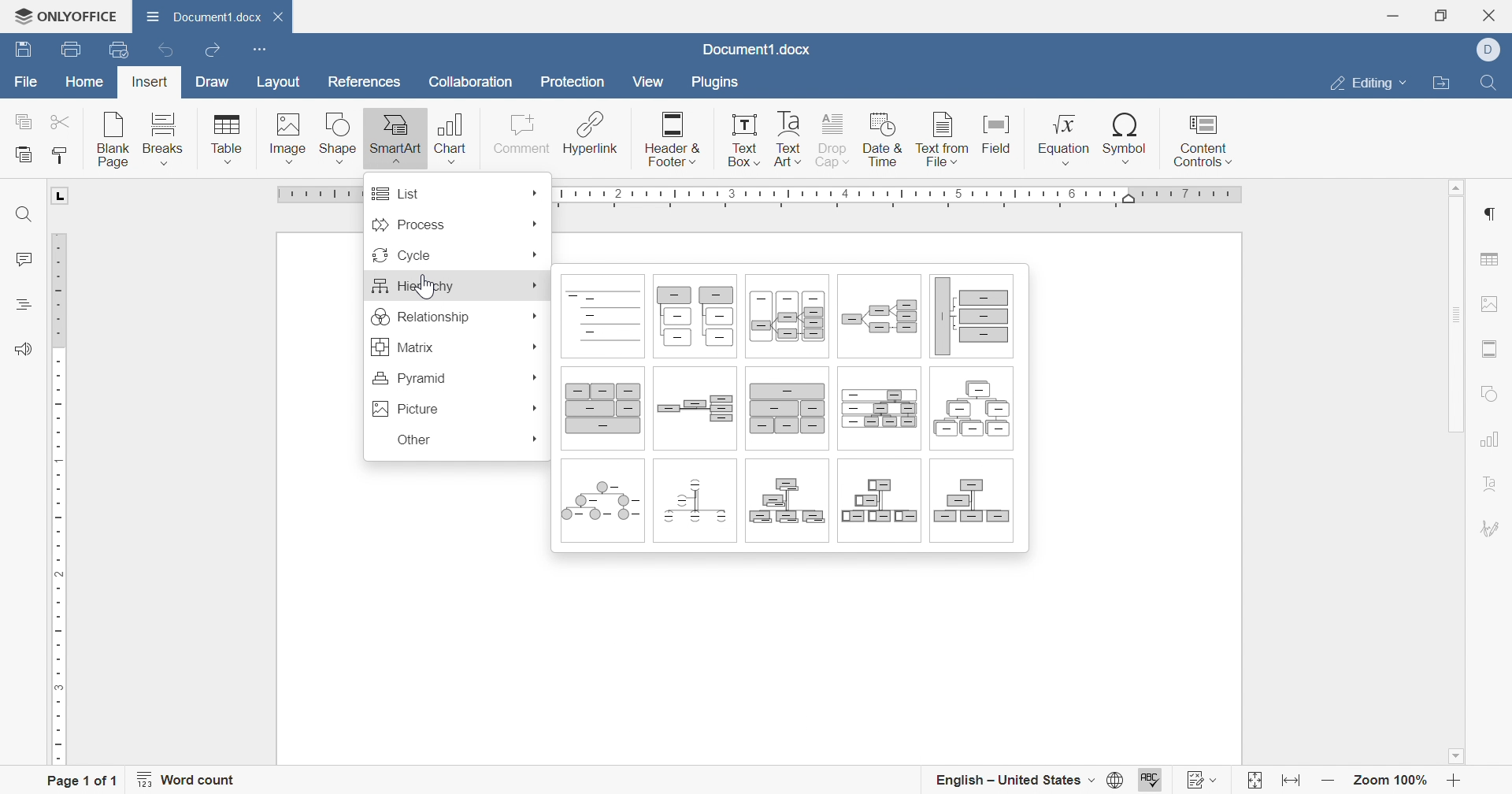 This screenshot has height=794, width=1512. What do you see at coordinates (537, 194) in the screenshot?
I see `More` at bounding box center [537, 194].